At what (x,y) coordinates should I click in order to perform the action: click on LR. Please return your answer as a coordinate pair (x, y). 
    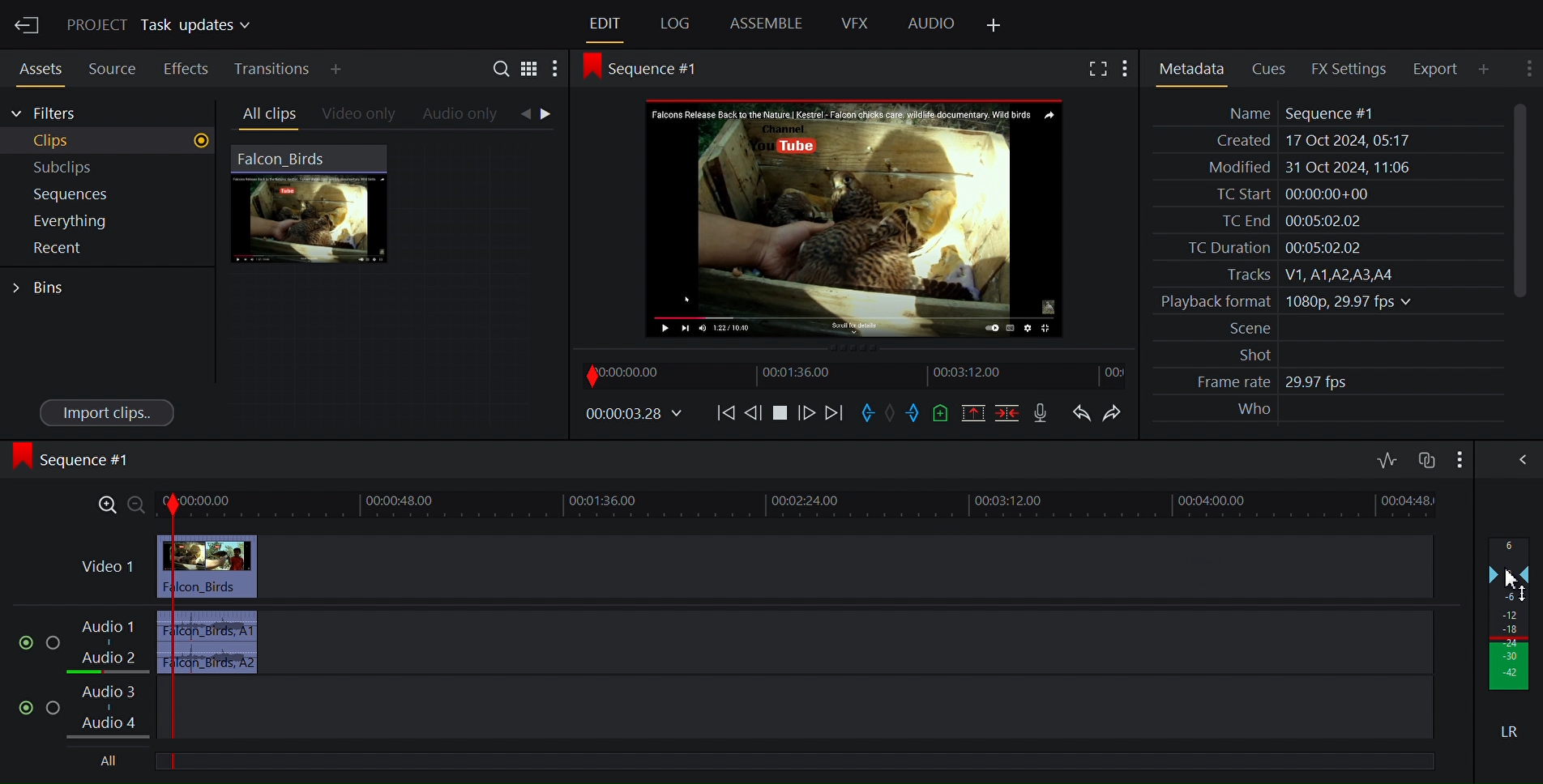
    Looking at the image, I should click on (1506, 728).